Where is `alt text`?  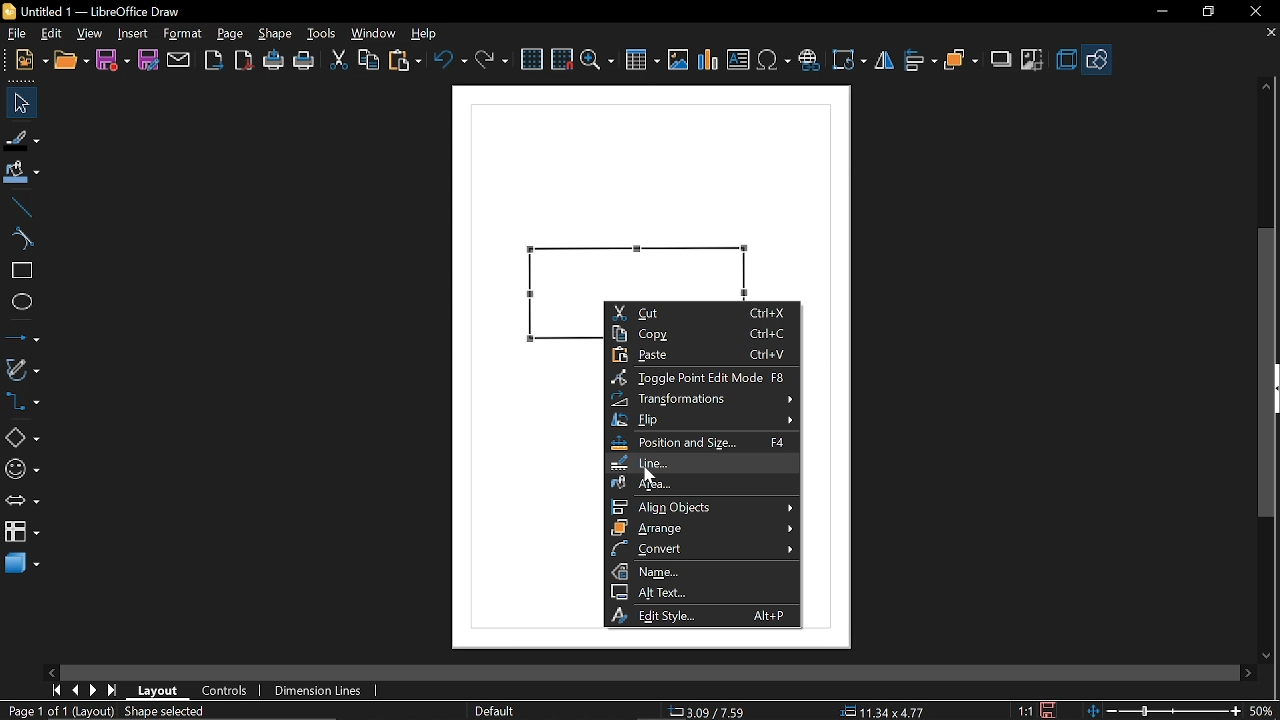
alt text is located at coordinates (701, 592).